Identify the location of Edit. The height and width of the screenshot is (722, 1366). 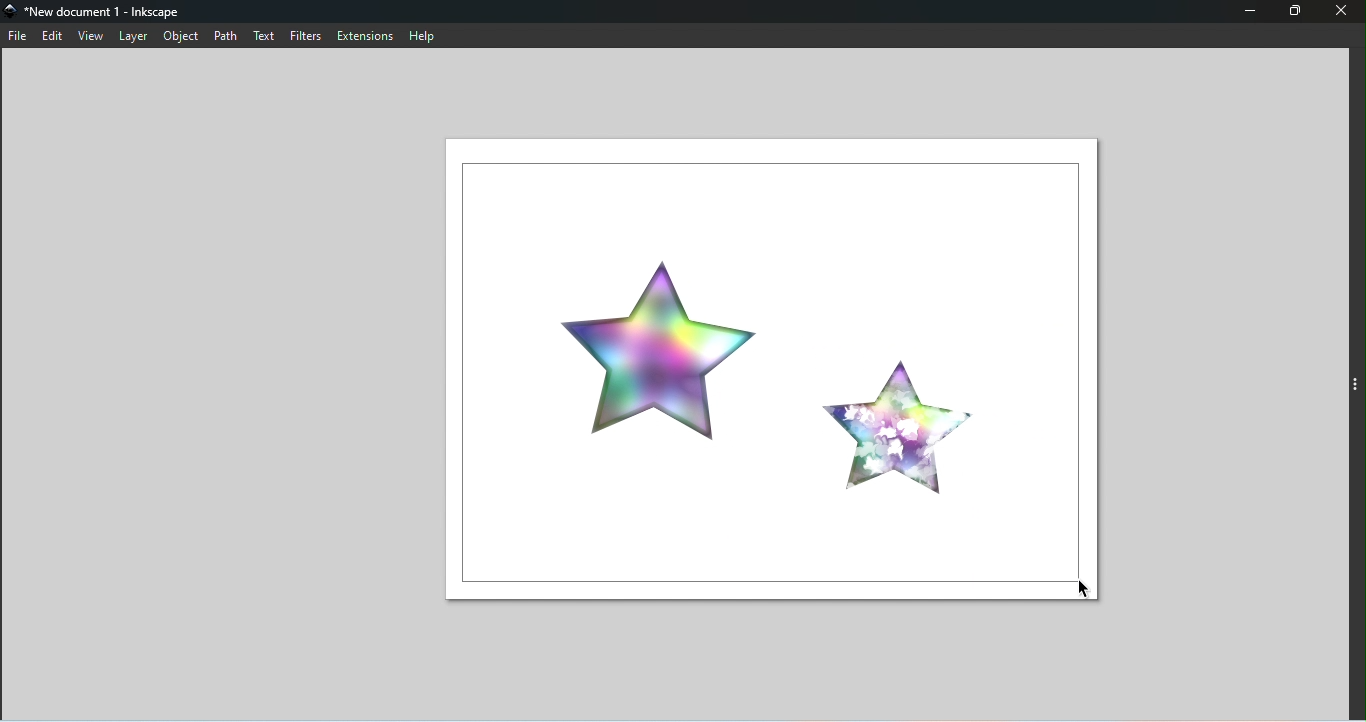
(50, 35).